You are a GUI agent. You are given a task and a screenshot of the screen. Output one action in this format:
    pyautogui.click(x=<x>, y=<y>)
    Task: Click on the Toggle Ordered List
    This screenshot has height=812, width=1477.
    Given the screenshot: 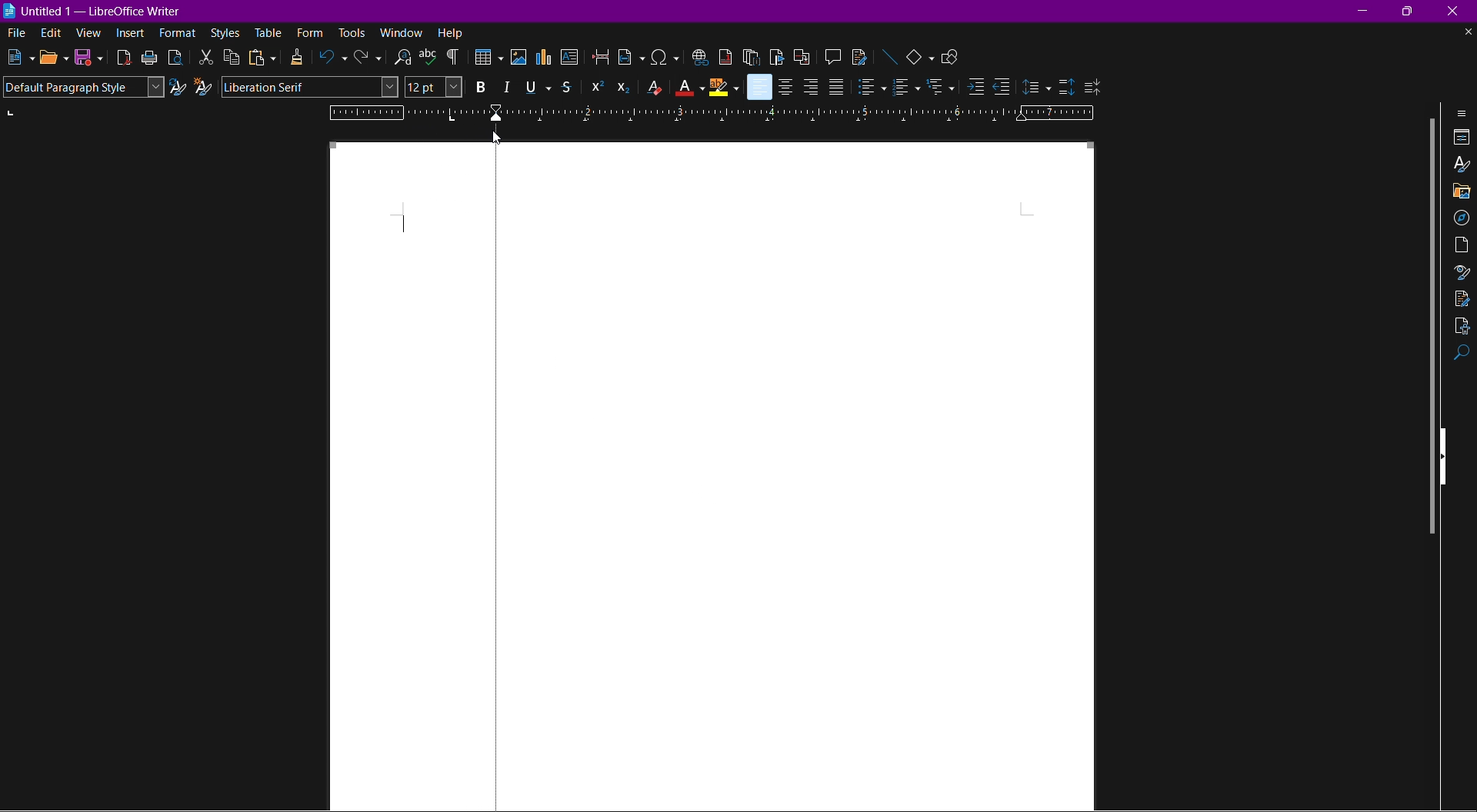 What is the action you would take?
    pyautogui.click(x=905, y=88)
    